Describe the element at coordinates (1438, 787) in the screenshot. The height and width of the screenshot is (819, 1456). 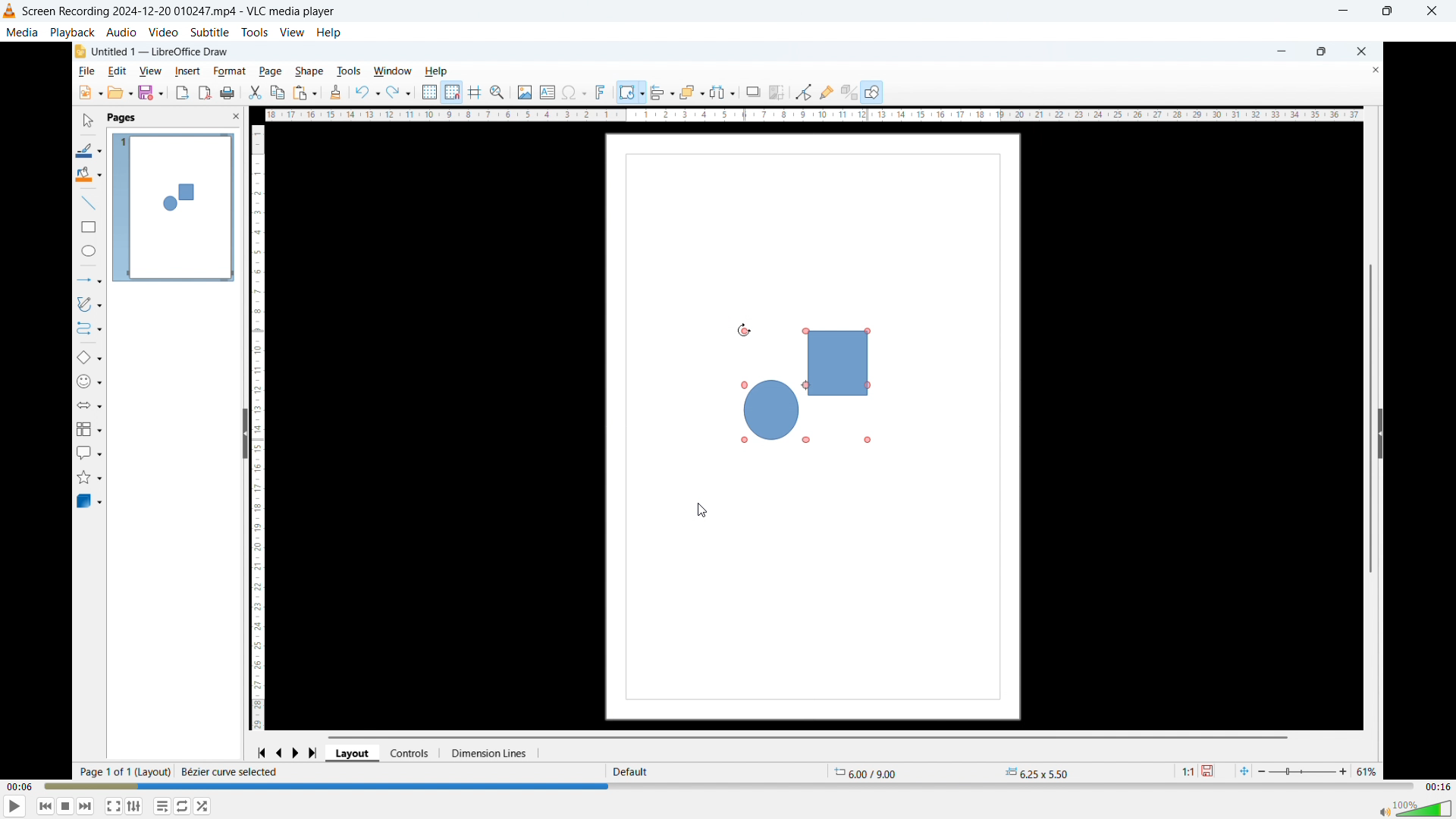
I see `Video duration ` at that location.